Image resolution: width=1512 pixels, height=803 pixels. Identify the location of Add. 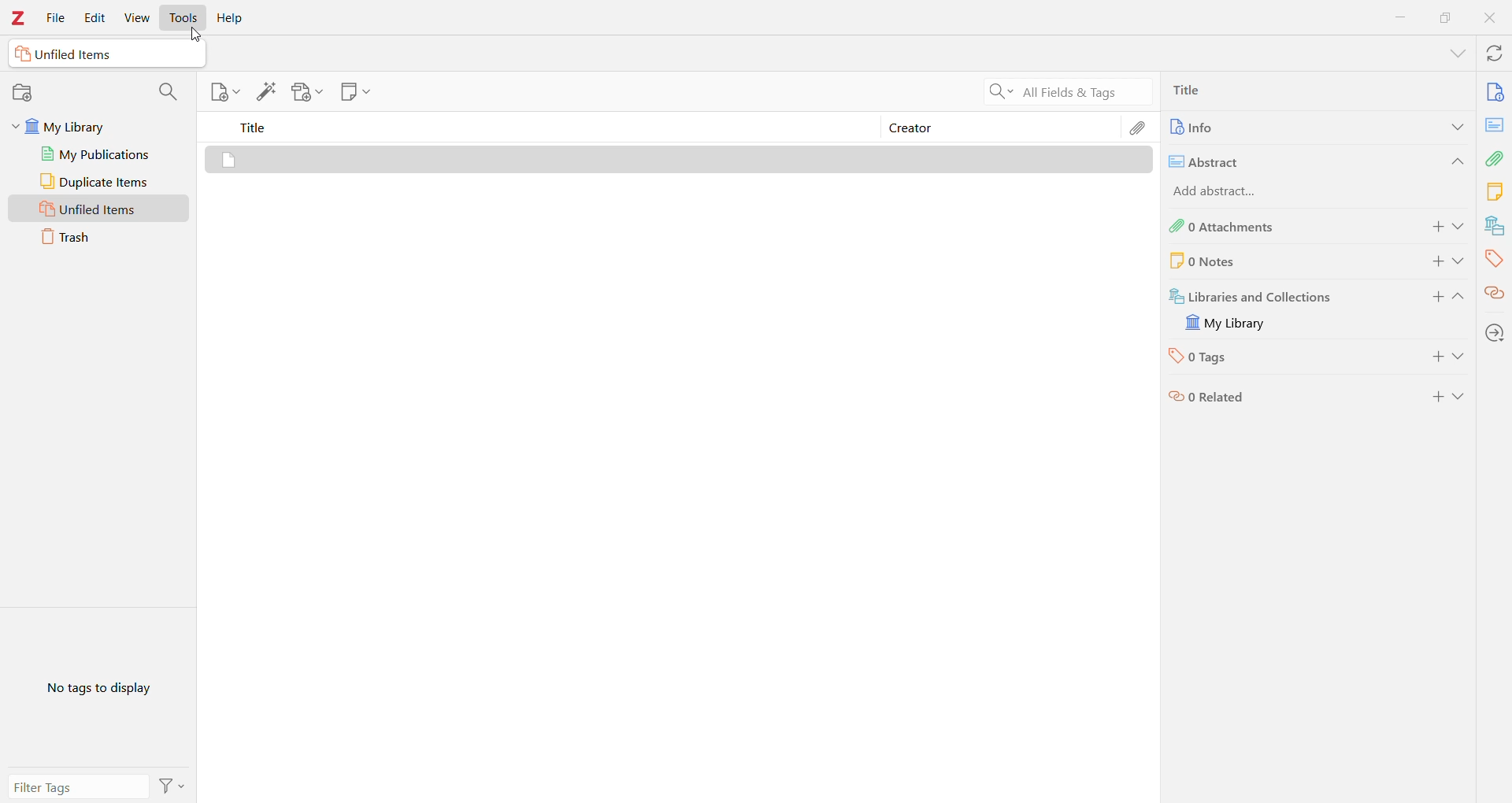
(1434, 228).